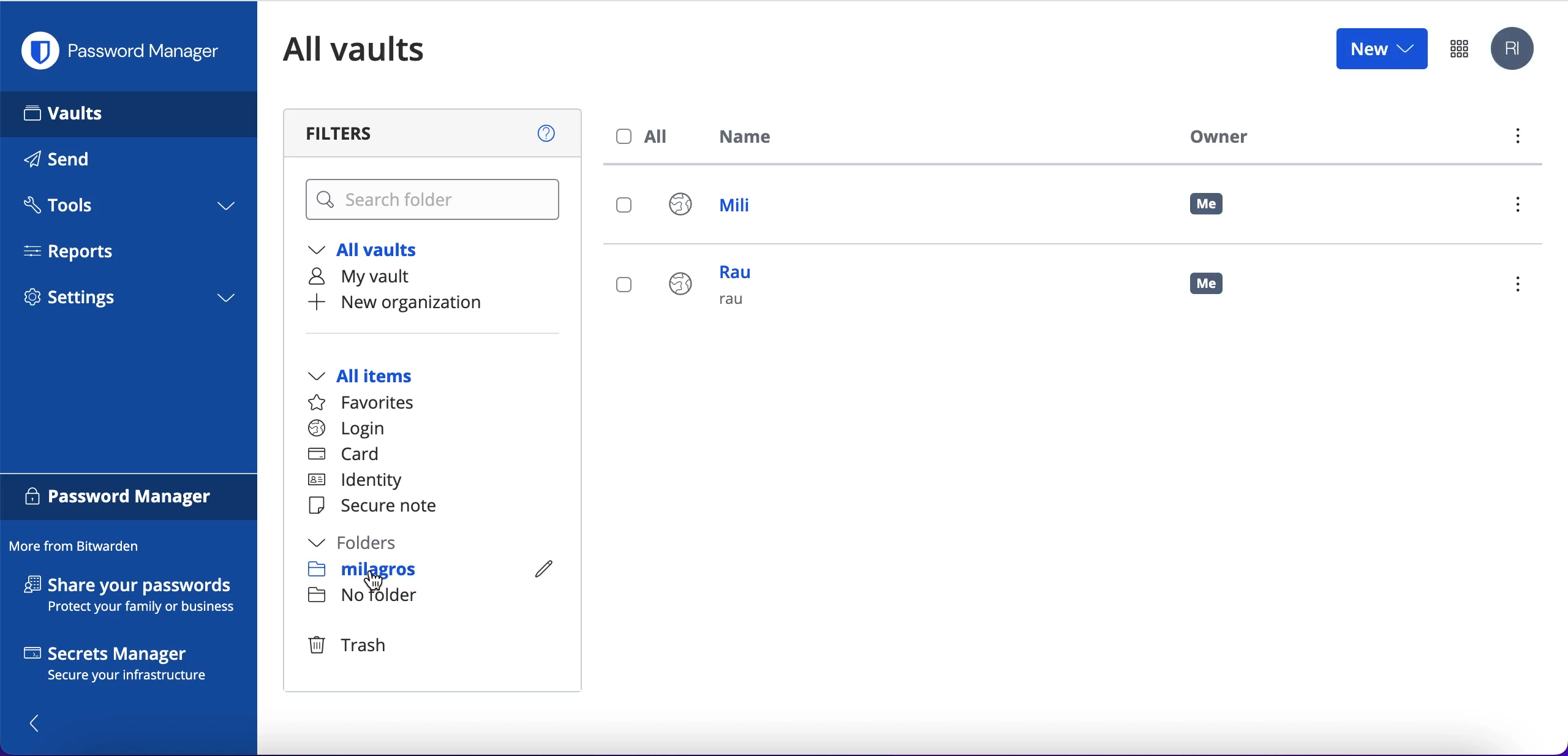 This screenshot has height=756, width=1568. Describe the element at coordinates (126, 51) in the screenshot. I see `password manager` at that location.